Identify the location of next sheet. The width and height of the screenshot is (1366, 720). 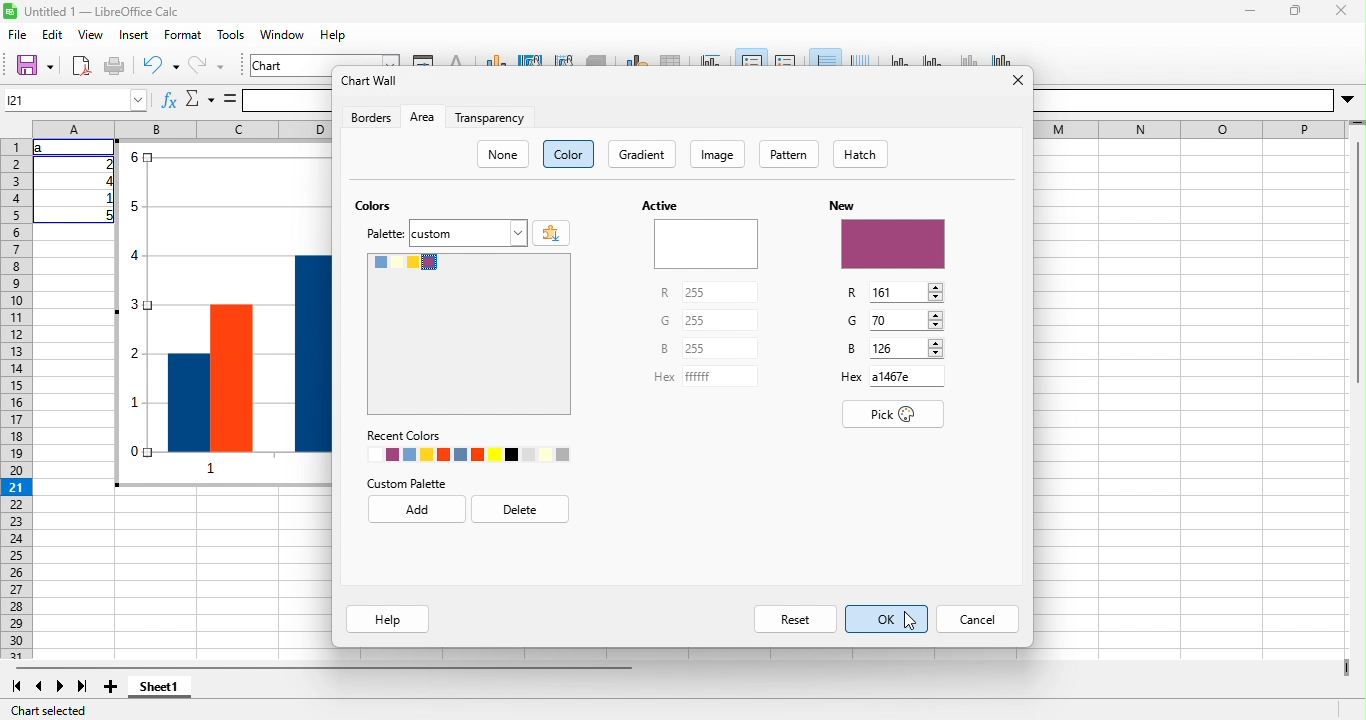
(60, 686).